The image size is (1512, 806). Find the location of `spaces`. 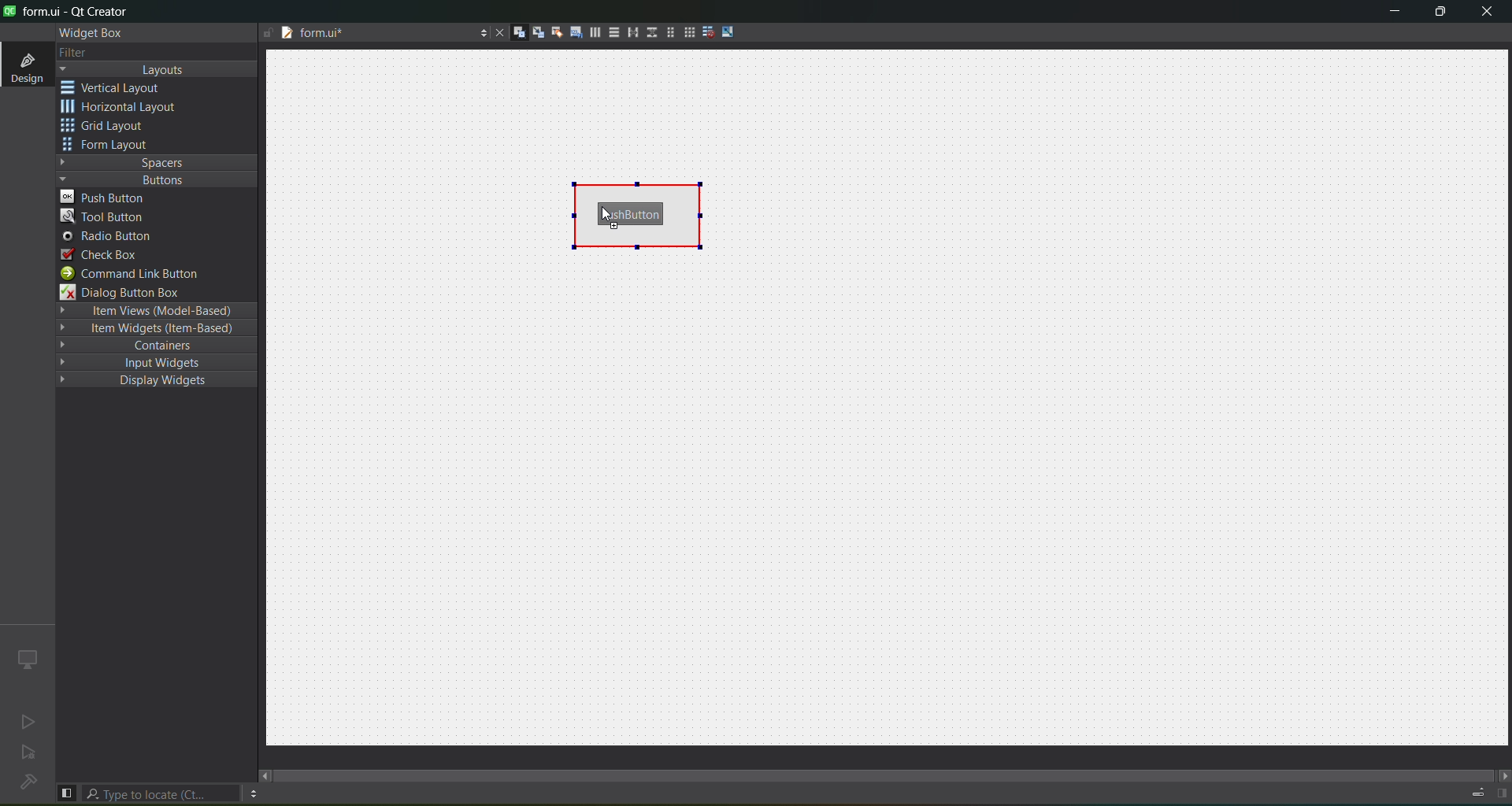

spaces is located at coordinates (157, 161).